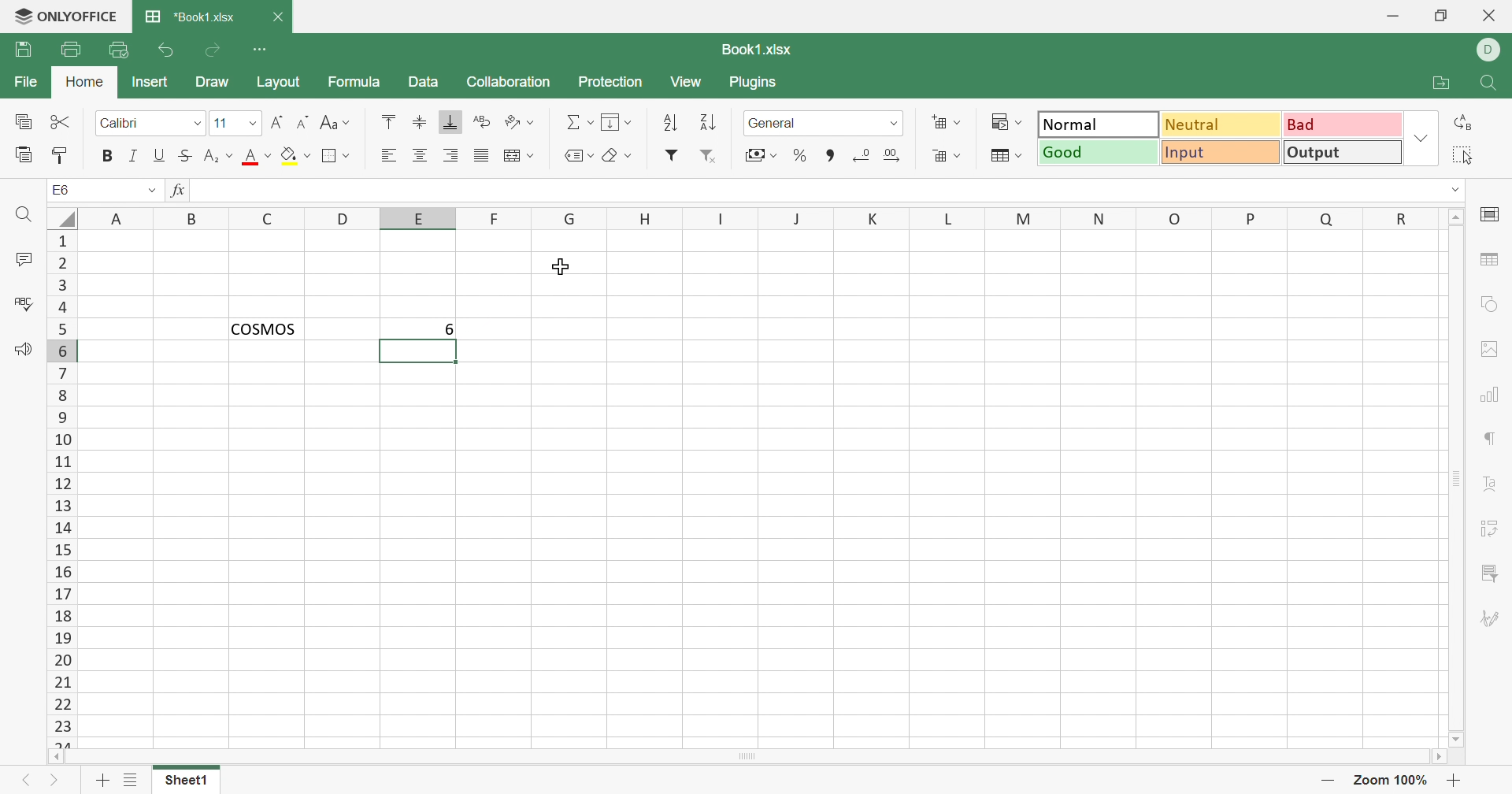 This screenshot has width=1512, height=794. What do you see at coordinates (25, 351) in the screenshot?
I see `Feedback & Support` at bounding box center [25, 351].